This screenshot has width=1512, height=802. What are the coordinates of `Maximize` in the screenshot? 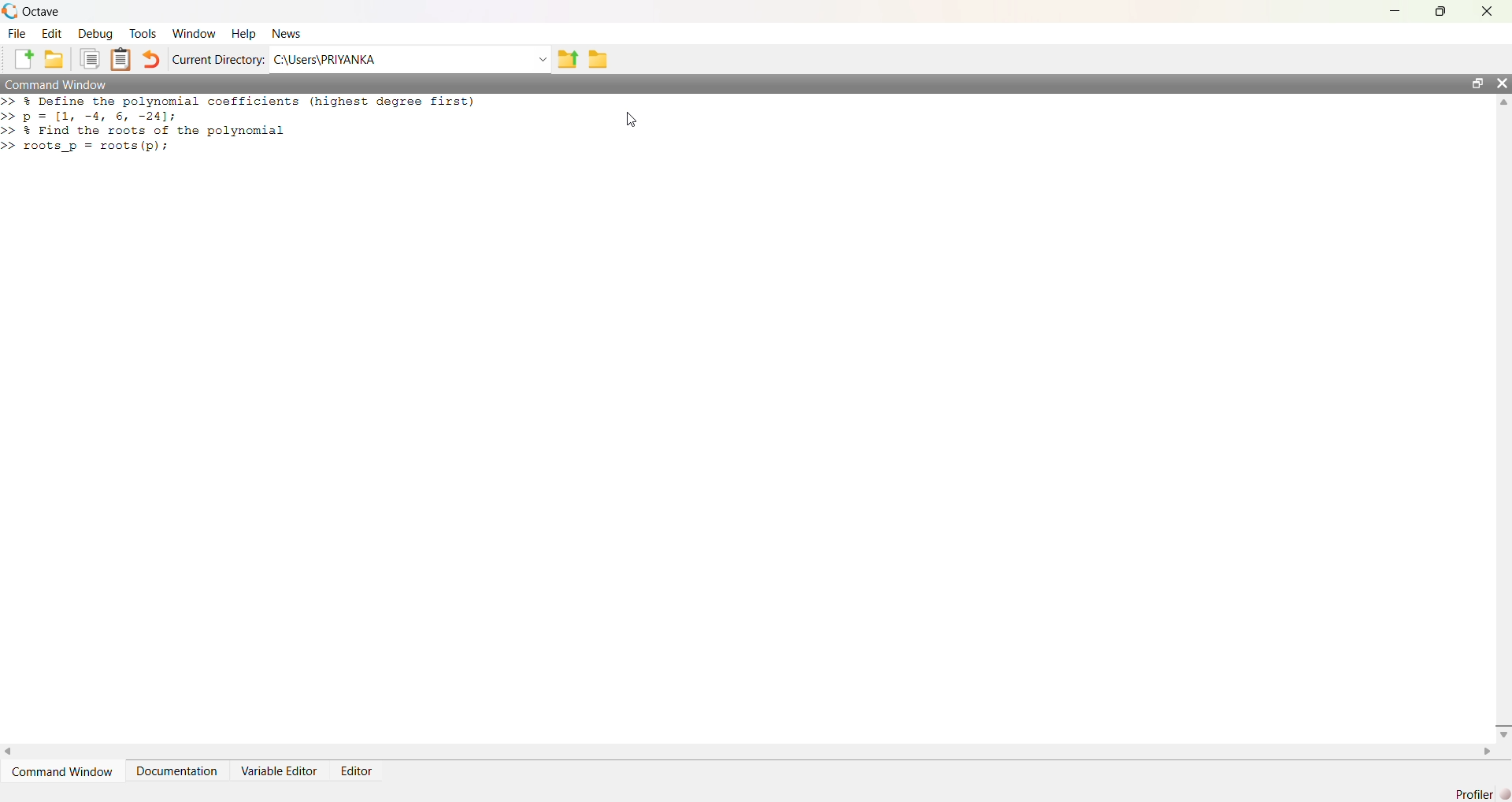 It's located at (1480, 84).